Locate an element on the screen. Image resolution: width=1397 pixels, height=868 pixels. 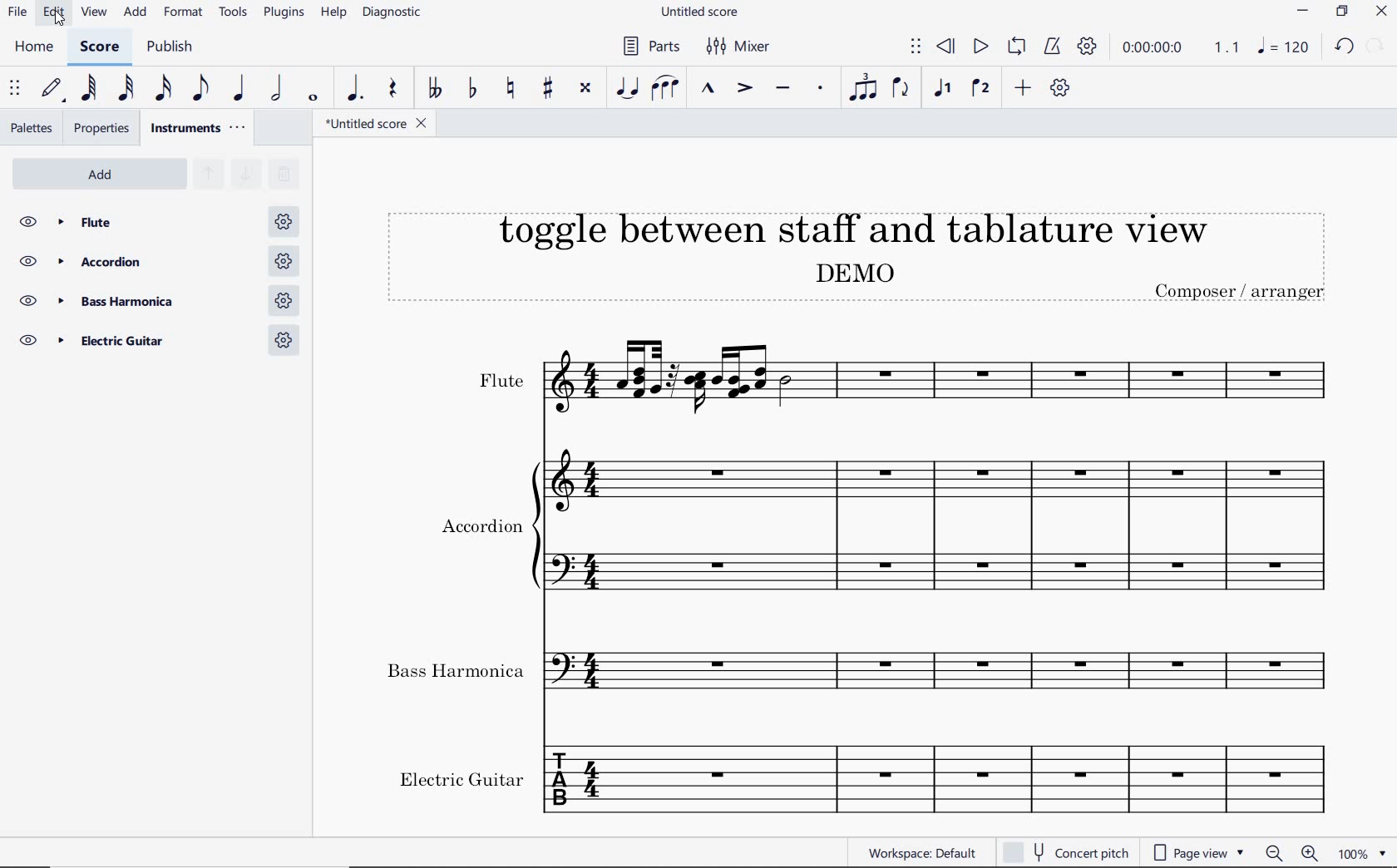
help is located at coordinates (333, 14).